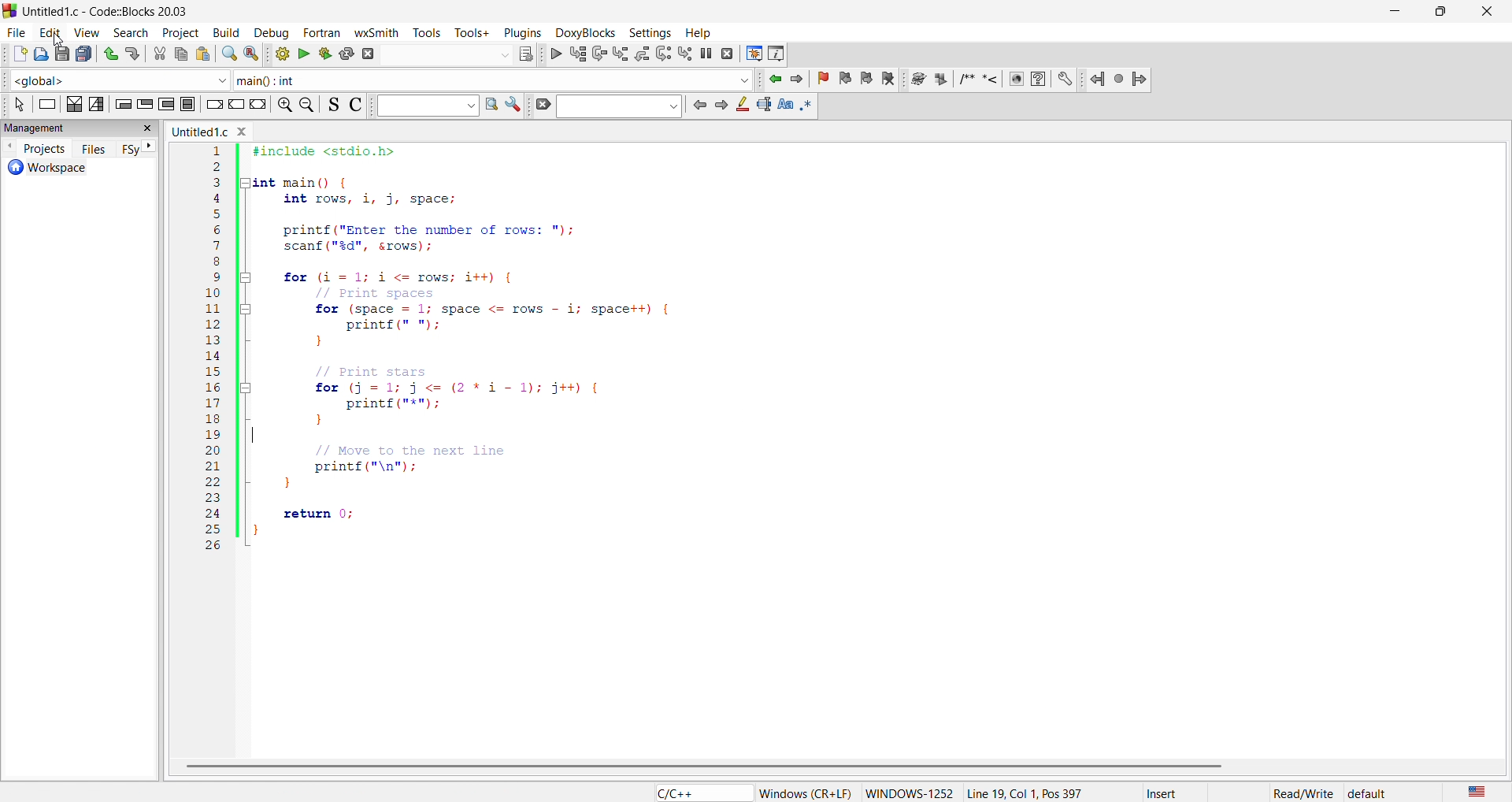 The width and height of the screenshot is (1512, 802). What do you see at coordinates (713, 767) in the screenshot?
I see `vertical scroll bar` at bounding box center [713, 767].